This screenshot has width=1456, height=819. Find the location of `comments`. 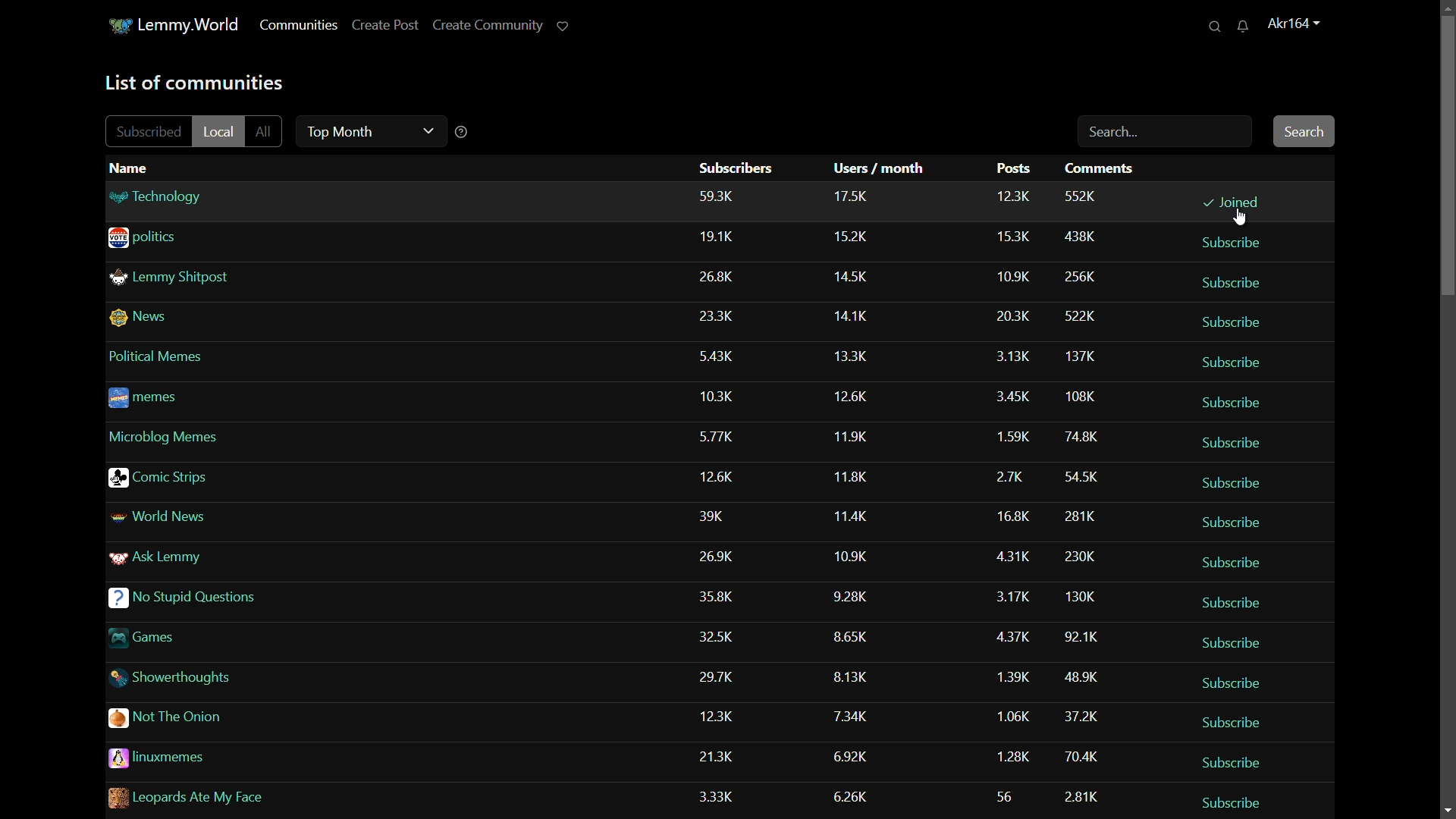

comments is located at coordinates (1085, 473).